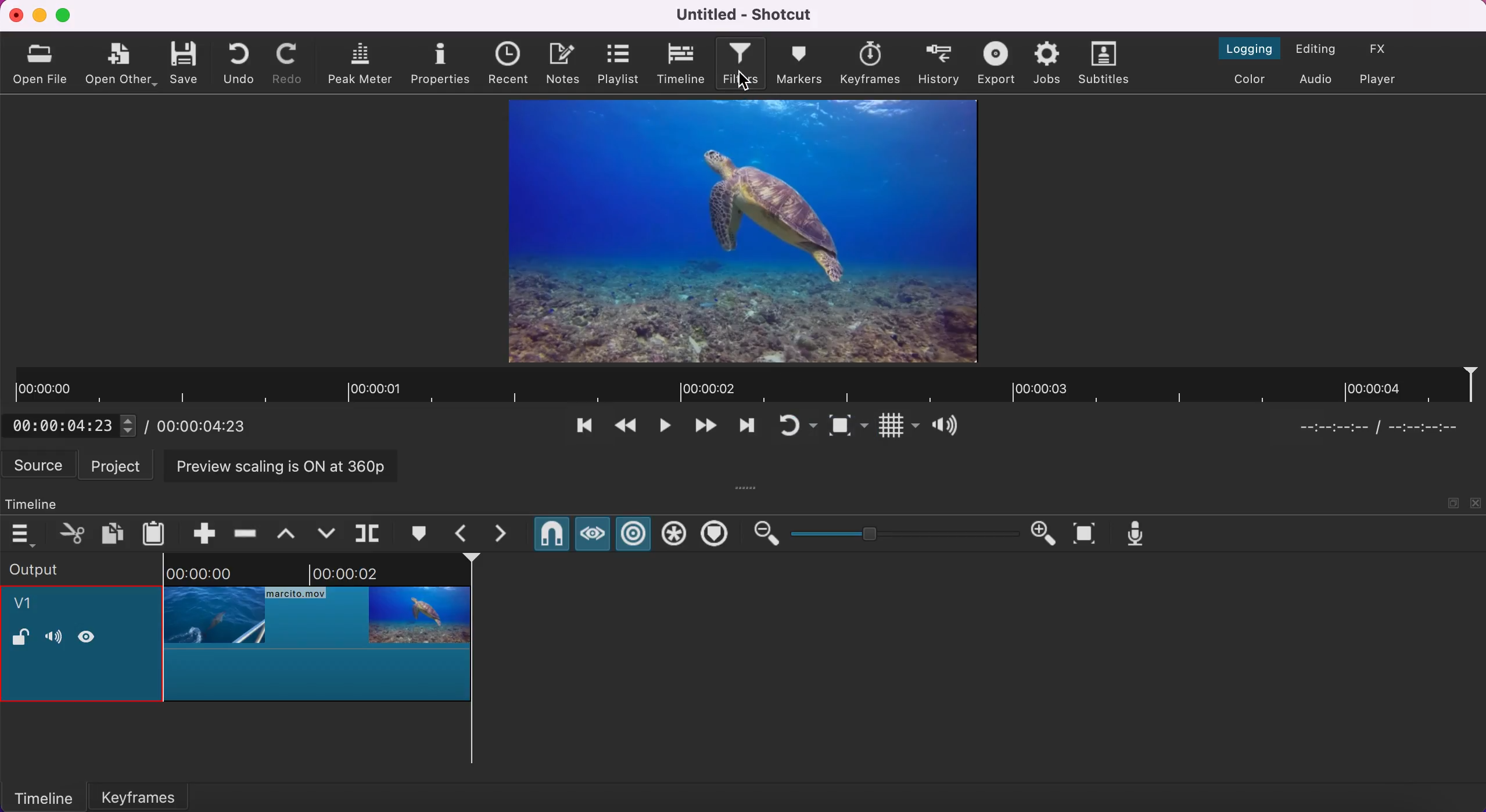  What do you see at coordinates (1387, 49) in the screenshot?
I see `switch to the effects layout` at bounding box center [1387, 49].